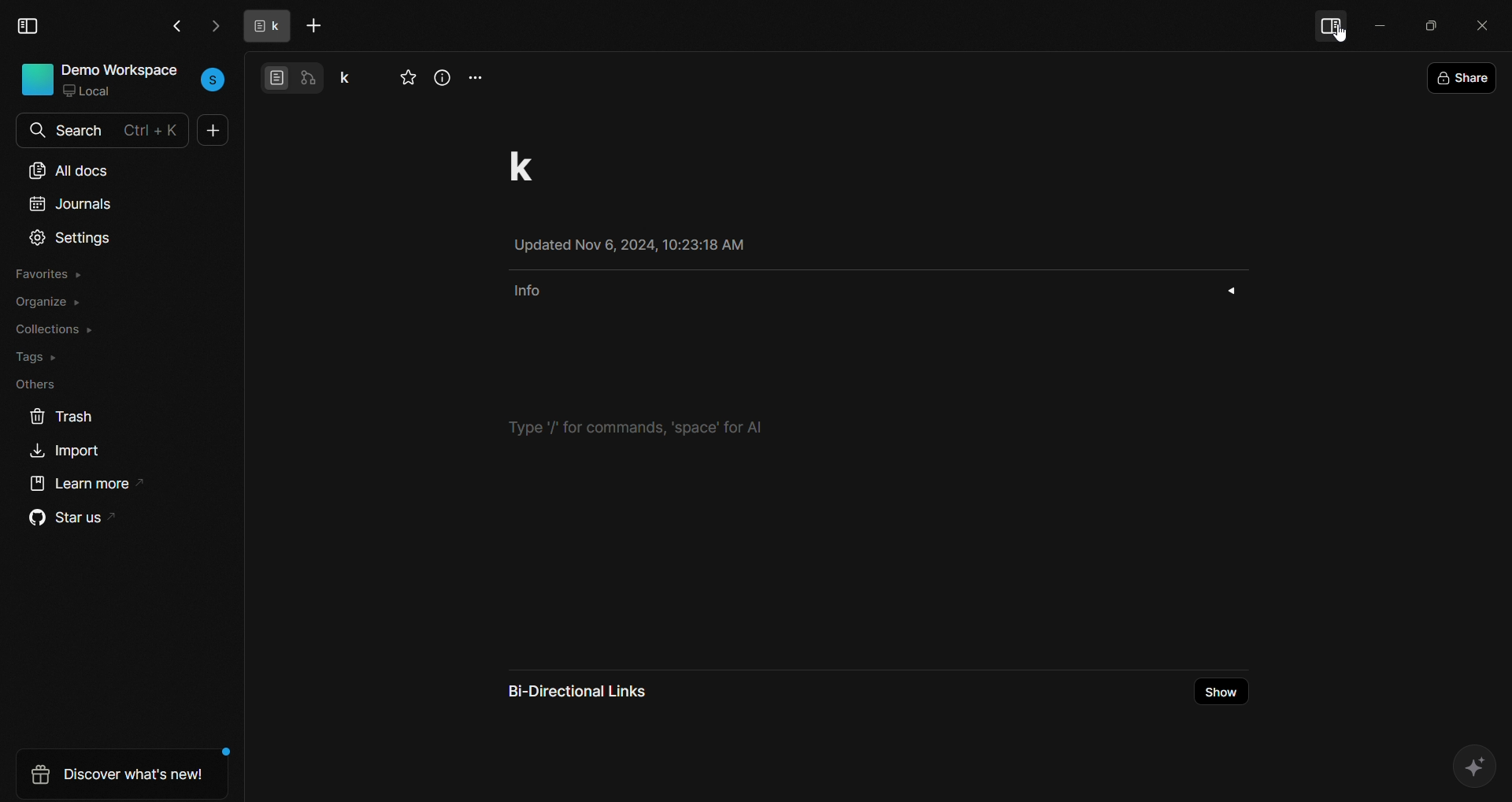  I want to click on go next, so click(213, 26).